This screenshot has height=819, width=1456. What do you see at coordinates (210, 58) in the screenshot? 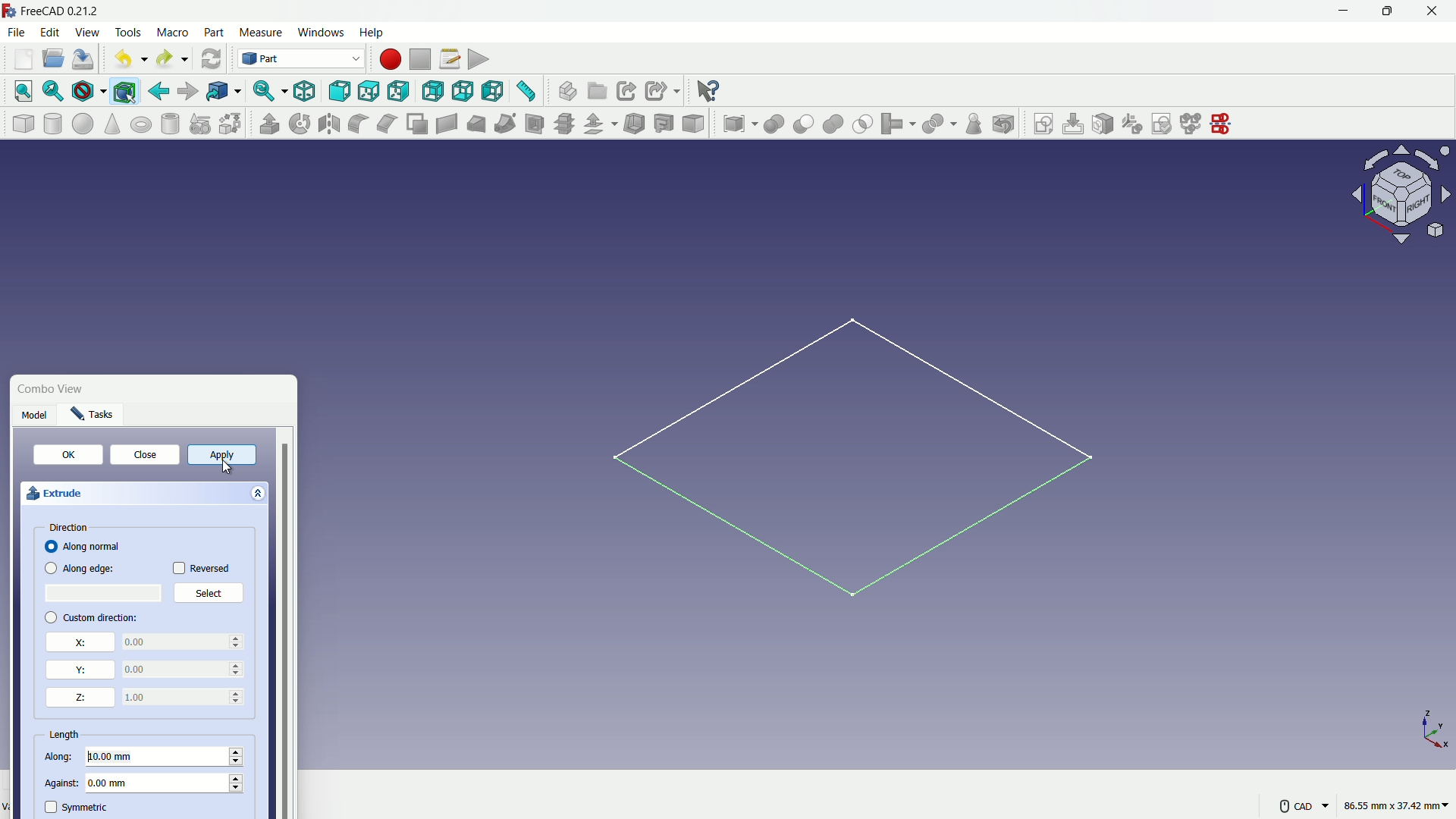
I see `refresh` at bounding box center [210, 58].